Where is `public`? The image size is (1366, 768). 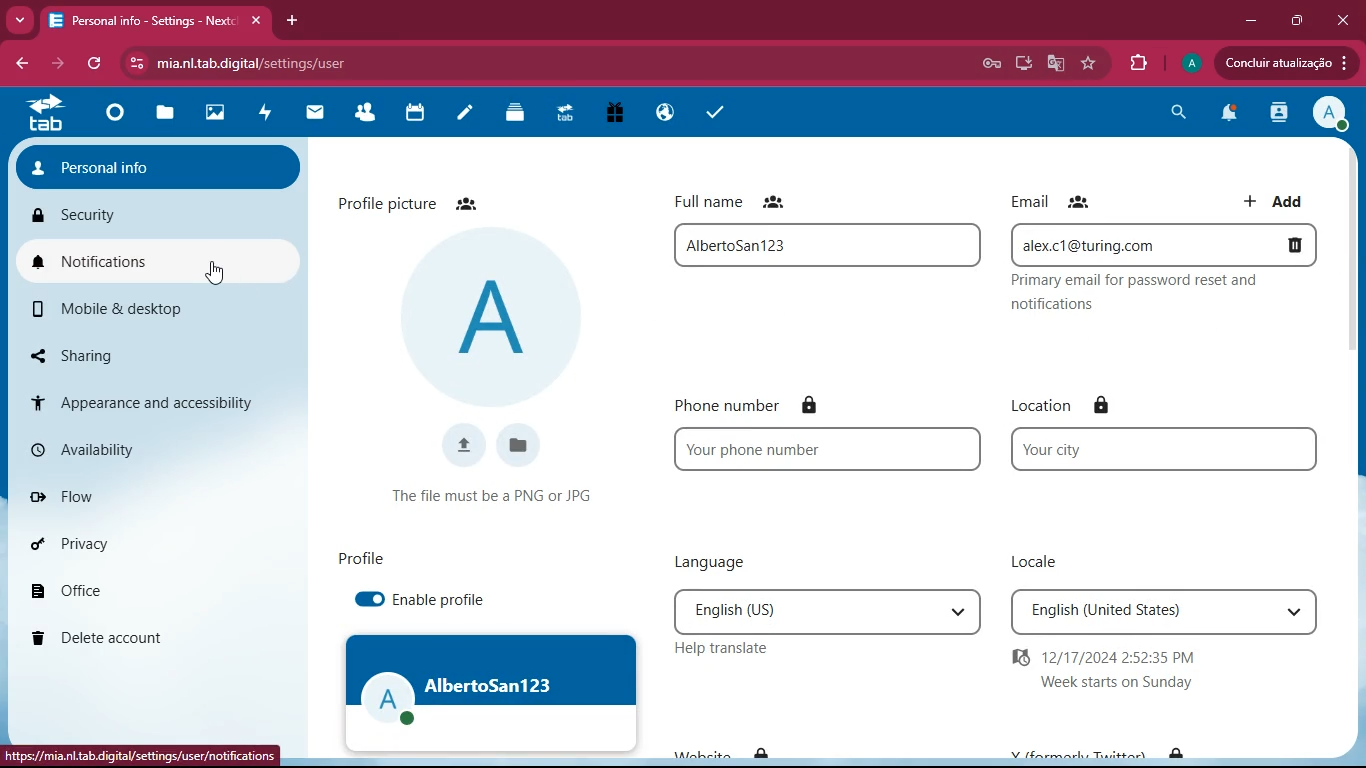
public is located at coordinates (668, 112).